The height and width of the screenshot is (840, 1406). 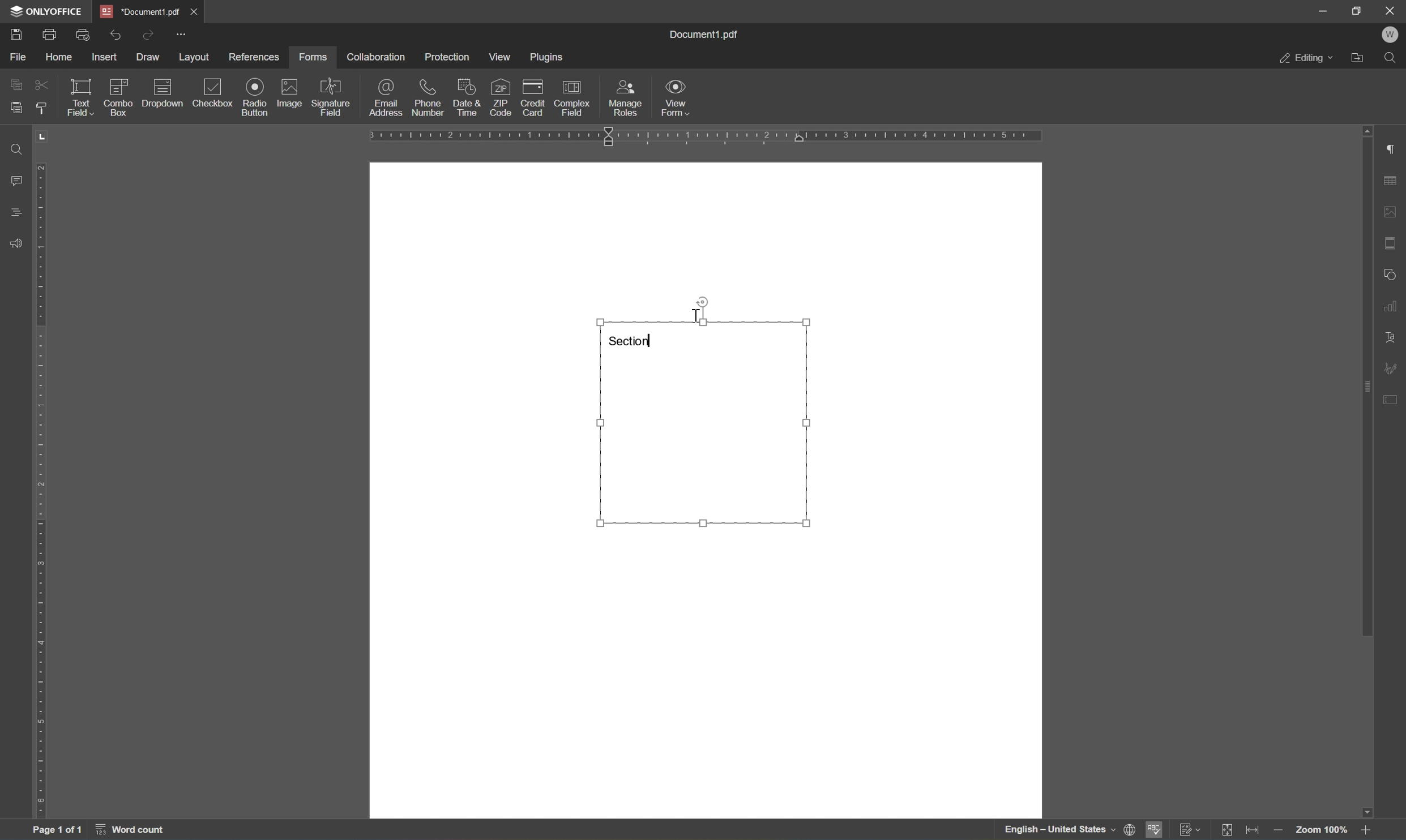 What do you see at coordinates (1367, 829) in the screenshot?
I see `zoom in` at bounding box center [1367, 829].